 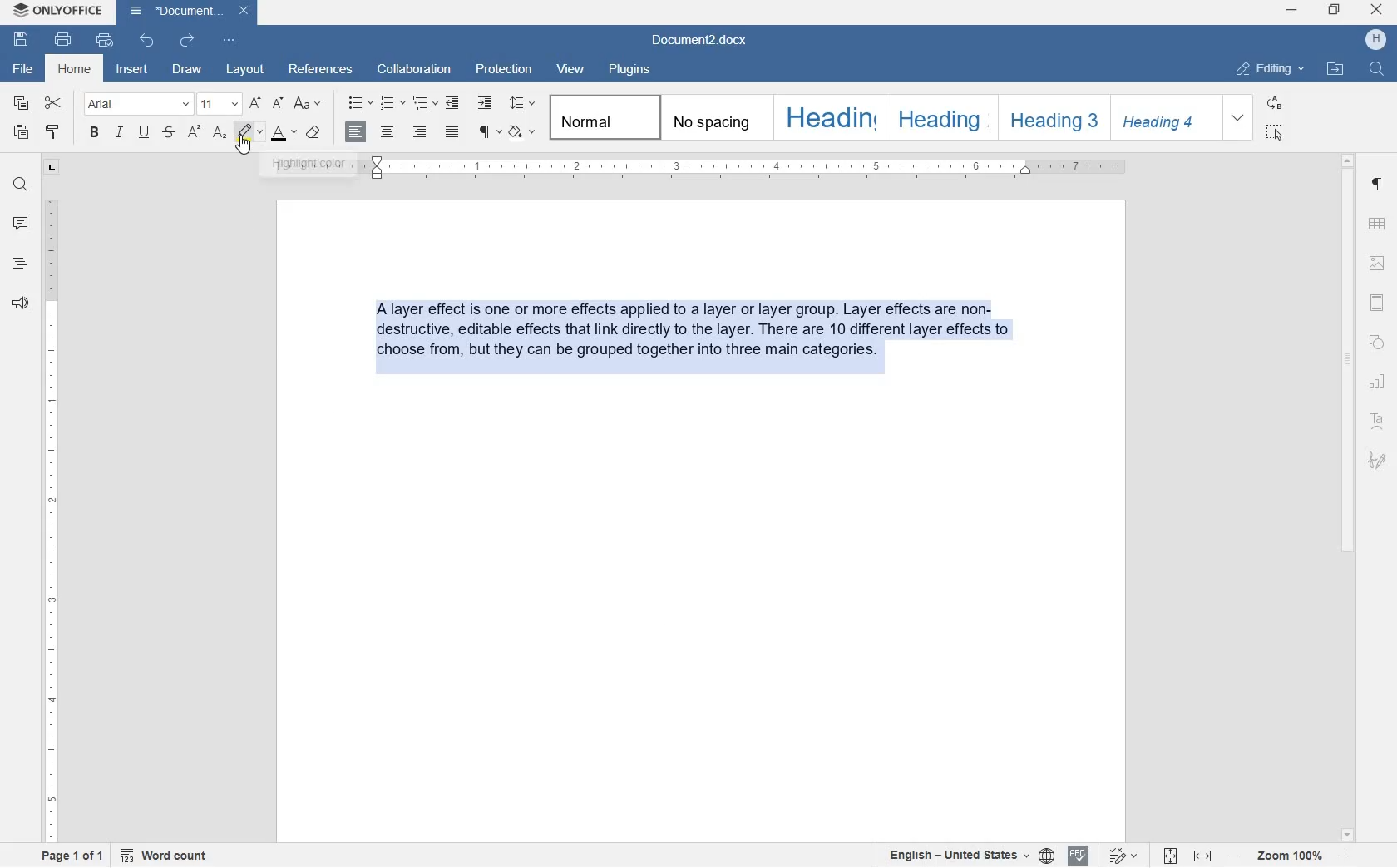 What do you see at coordinates (967, 856) in the screenshot?
I see `SET TEXT/DOCUMENT LANGUAGE` at bounding box center [967, 856].